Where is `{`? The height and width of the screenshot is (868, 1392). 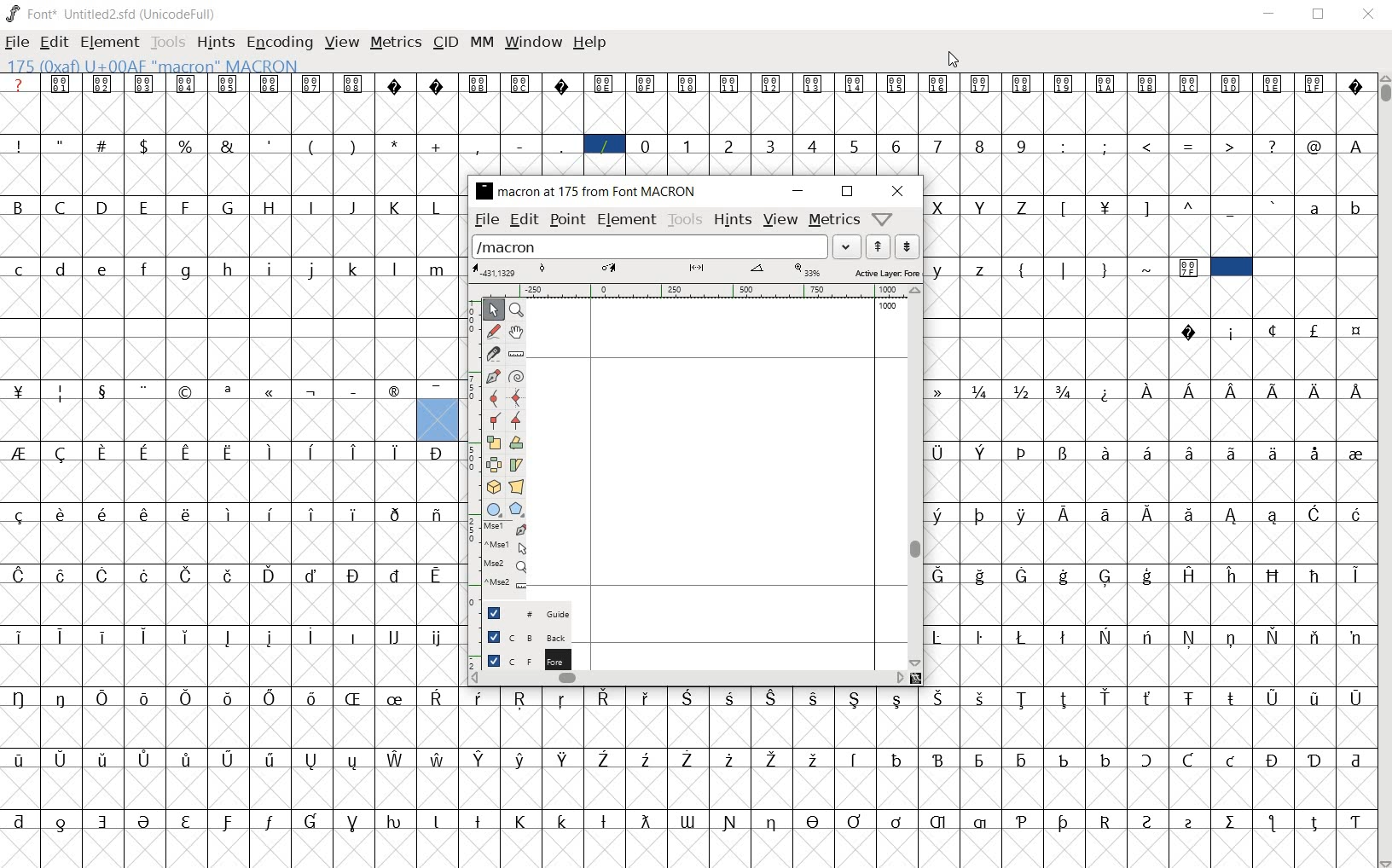 { is located at coordinates (1024, 269).